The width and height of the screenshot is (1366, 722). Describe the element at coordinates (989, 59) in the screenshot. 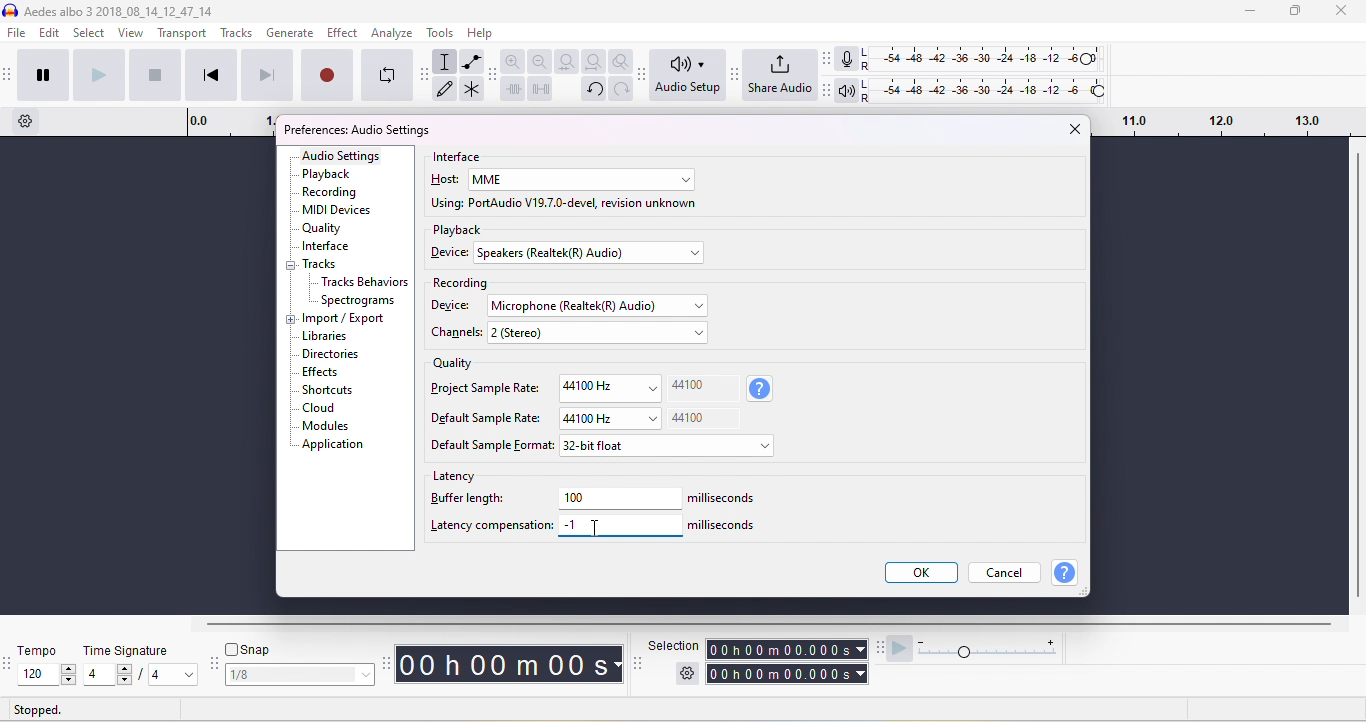

I see `recording level` at that location.